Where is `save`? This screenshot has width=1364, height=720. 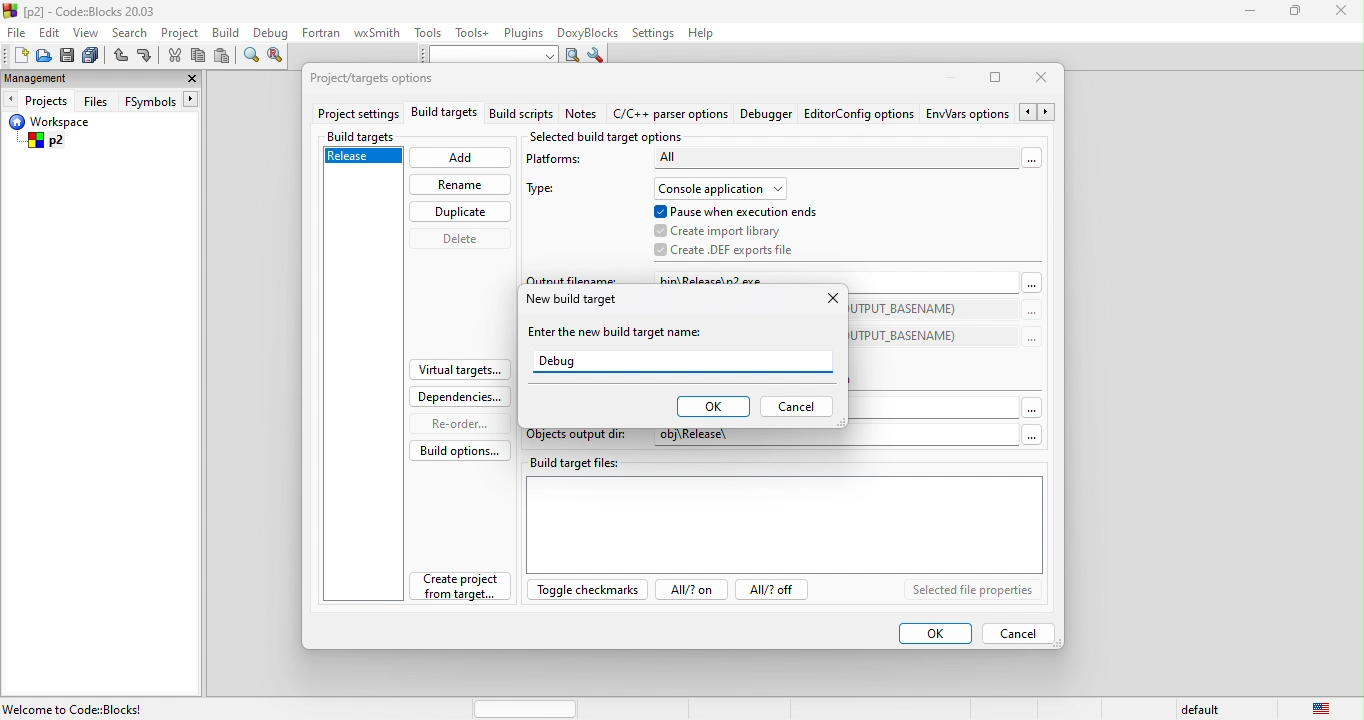 save is located at coordinates (69, 56).